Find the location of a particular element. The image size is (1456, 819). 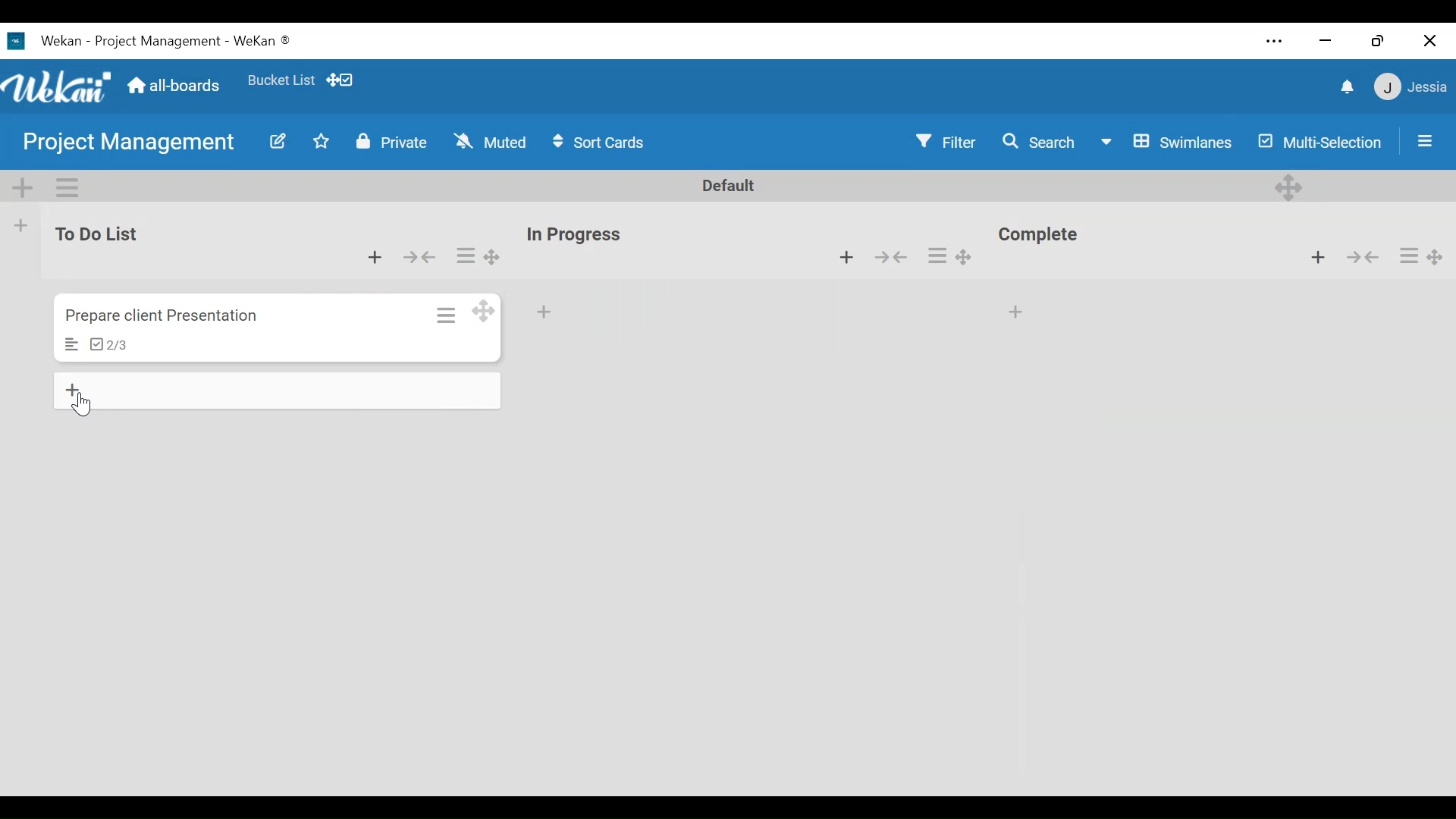

Desktop drag handles is located at coordinates (485, 311).